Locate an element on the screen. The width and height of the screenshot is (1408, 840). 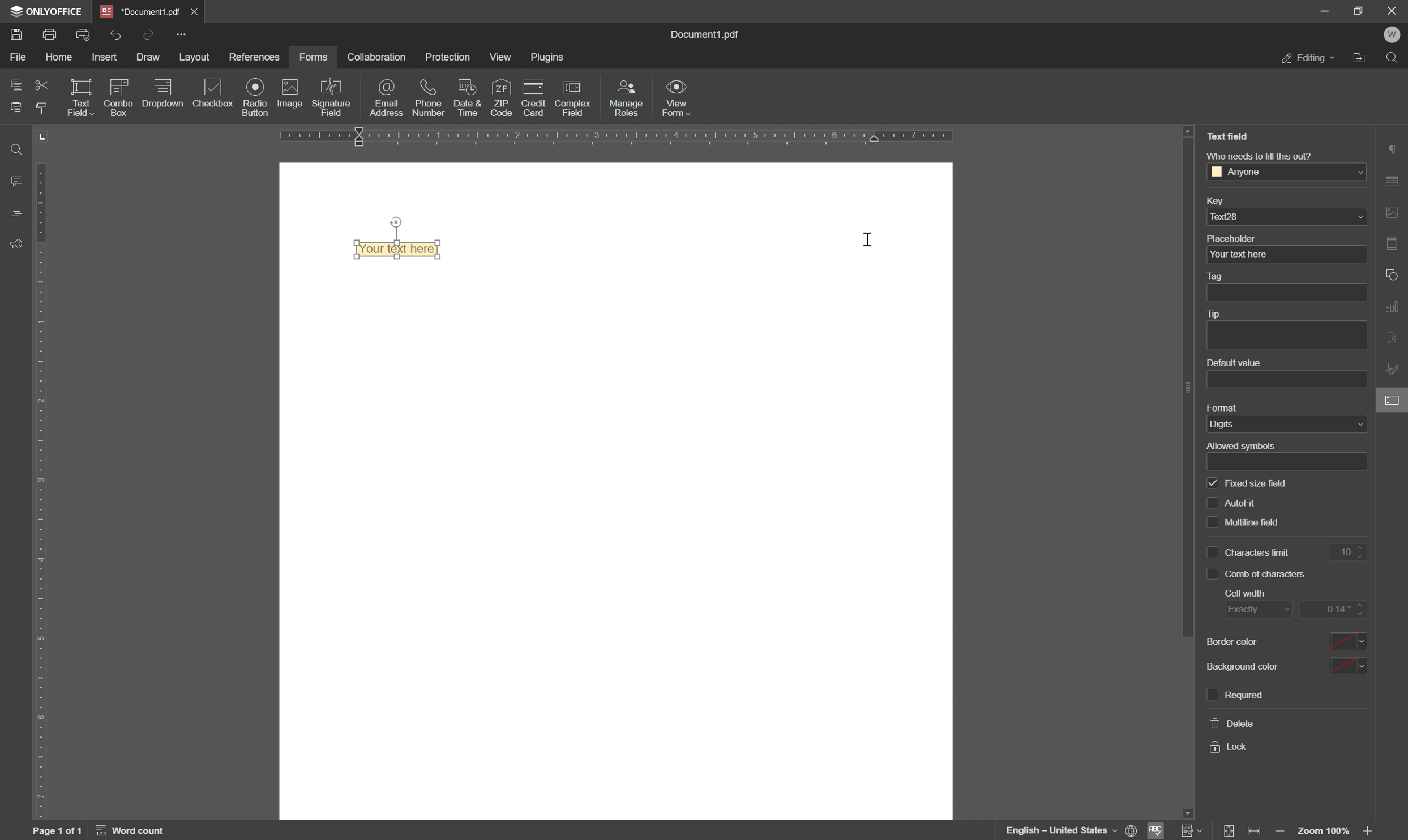
0.14 is located at coordinates (1338, 608).